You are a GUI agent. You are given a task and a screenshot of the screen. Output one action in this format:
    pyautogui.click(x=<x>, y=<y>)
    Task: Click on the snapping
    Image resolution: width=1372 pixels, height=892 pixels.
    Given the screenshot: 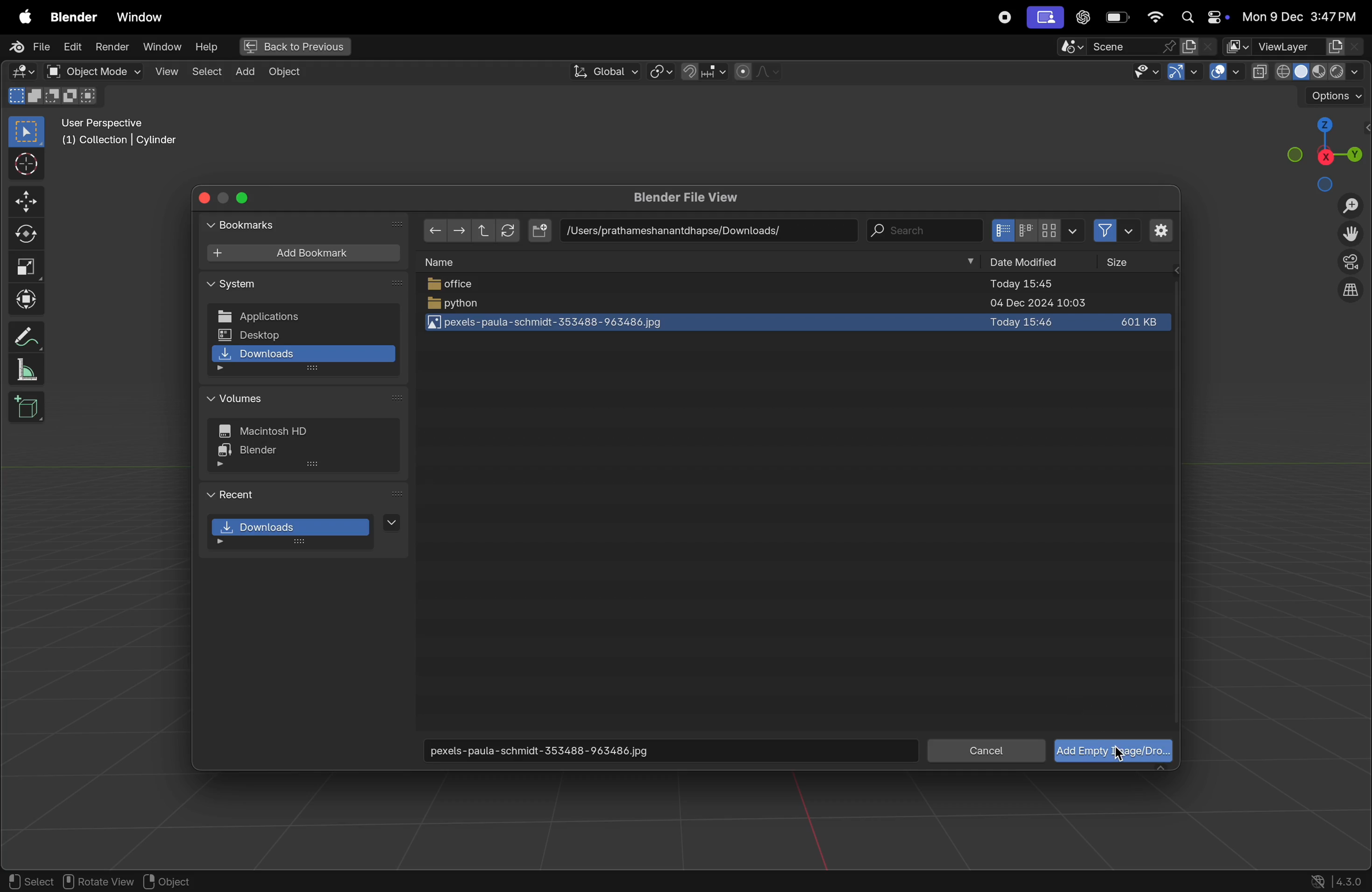 What is the action you would take?
    pyautogui.click(x=703, y=71)
    